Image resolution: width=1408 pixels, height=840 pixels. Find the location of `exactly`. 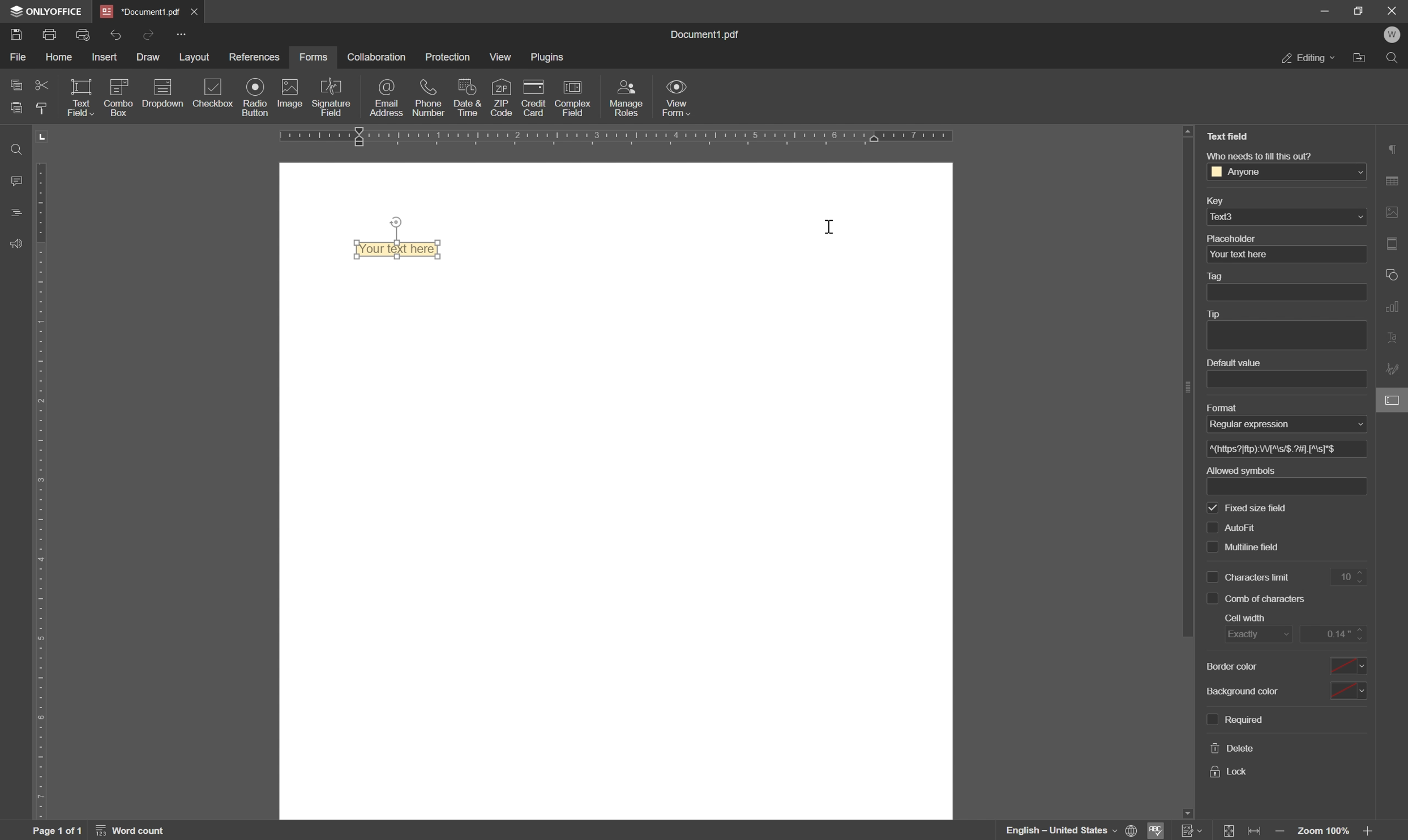

exactly is located at coordinates (1256, 636).